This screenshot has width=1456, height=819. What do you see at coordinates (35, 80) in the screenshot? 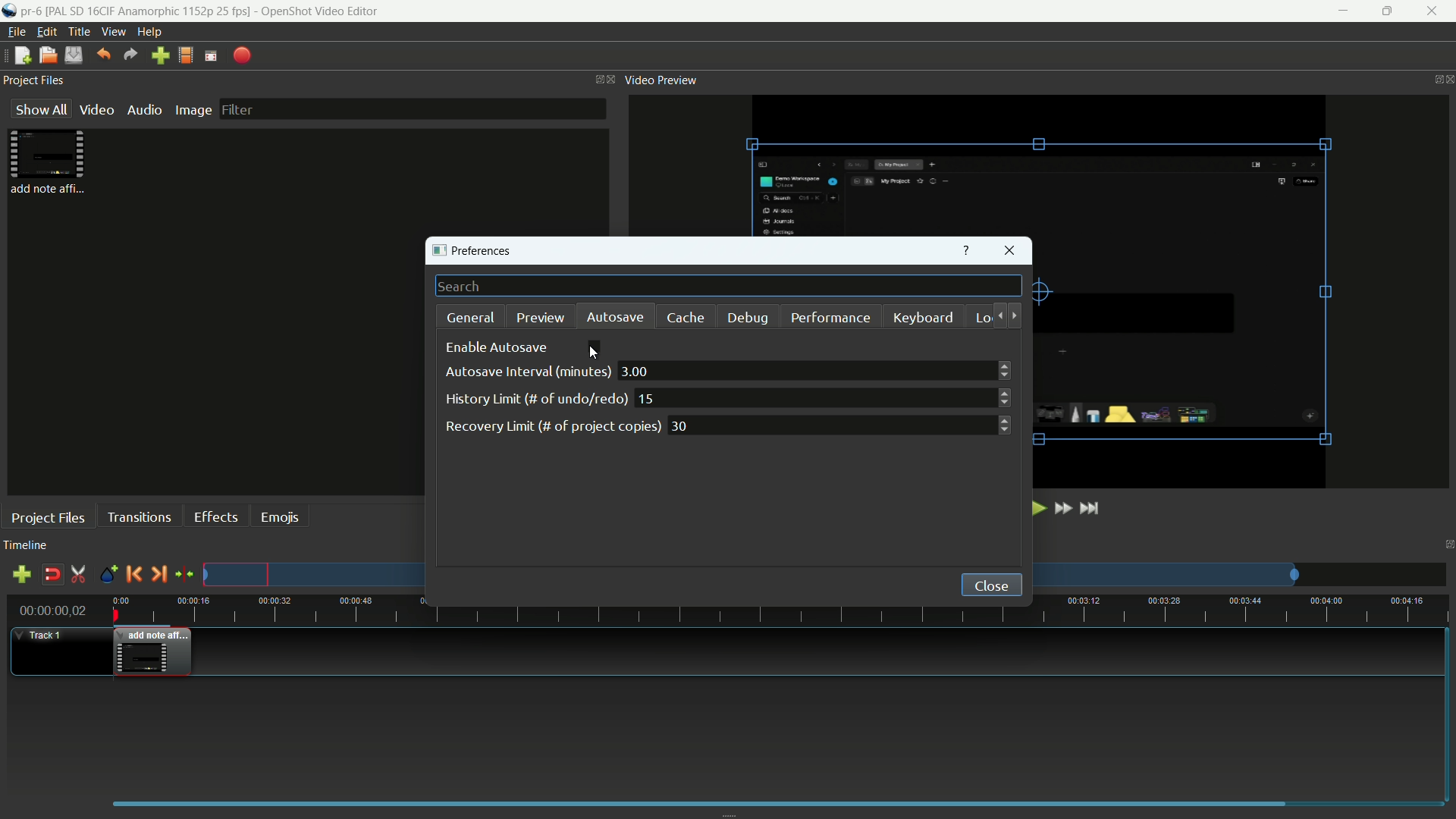
I see `project files` at bounding box center [35, 80].